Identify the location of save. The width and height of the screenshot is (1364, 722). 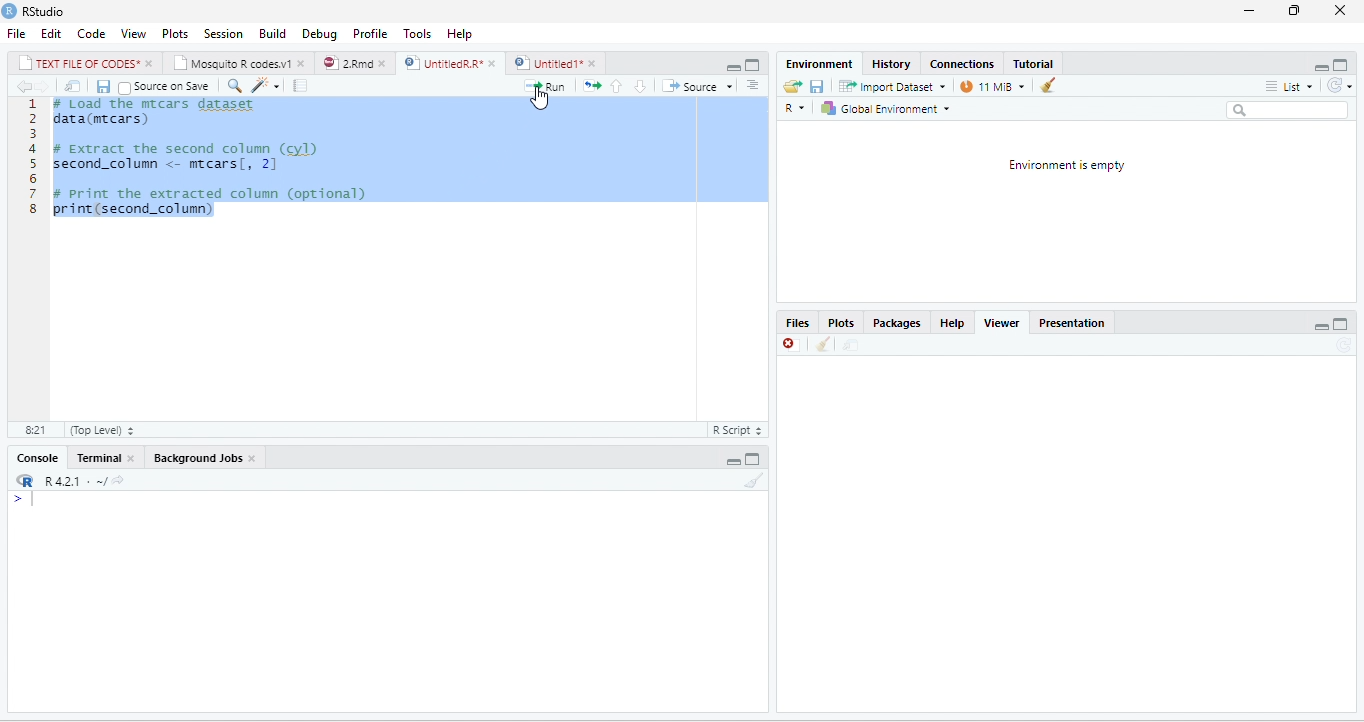
(101, 85).